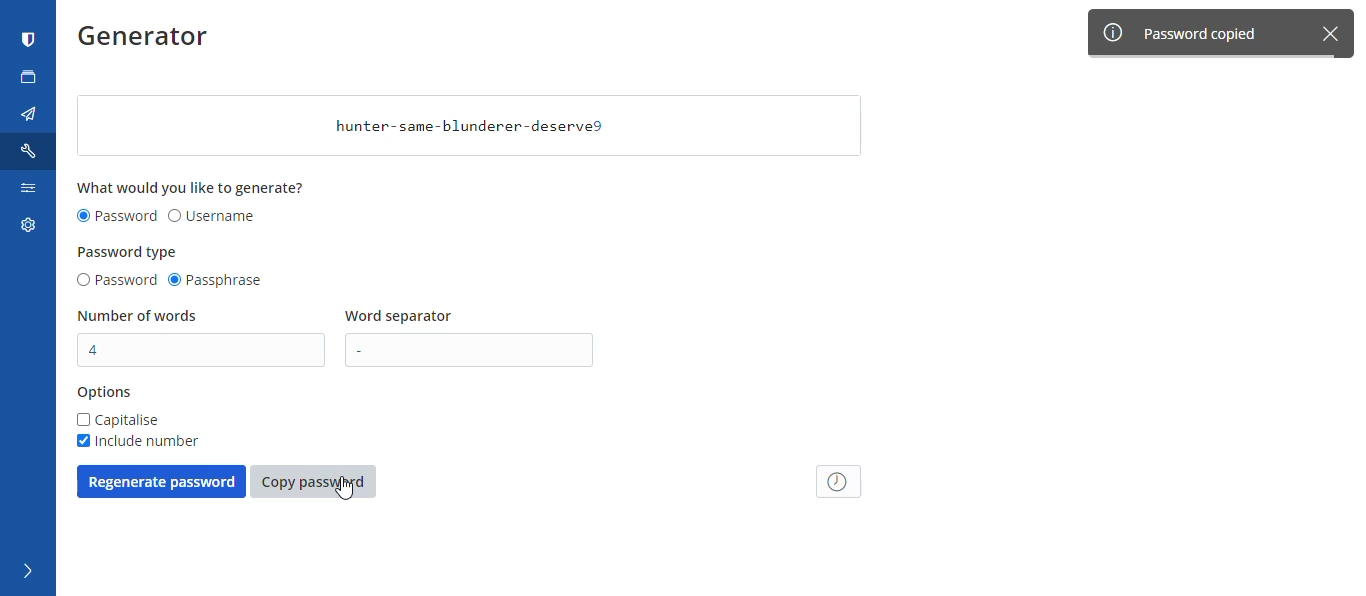  I want to click on close popup , so click(1336, 32).